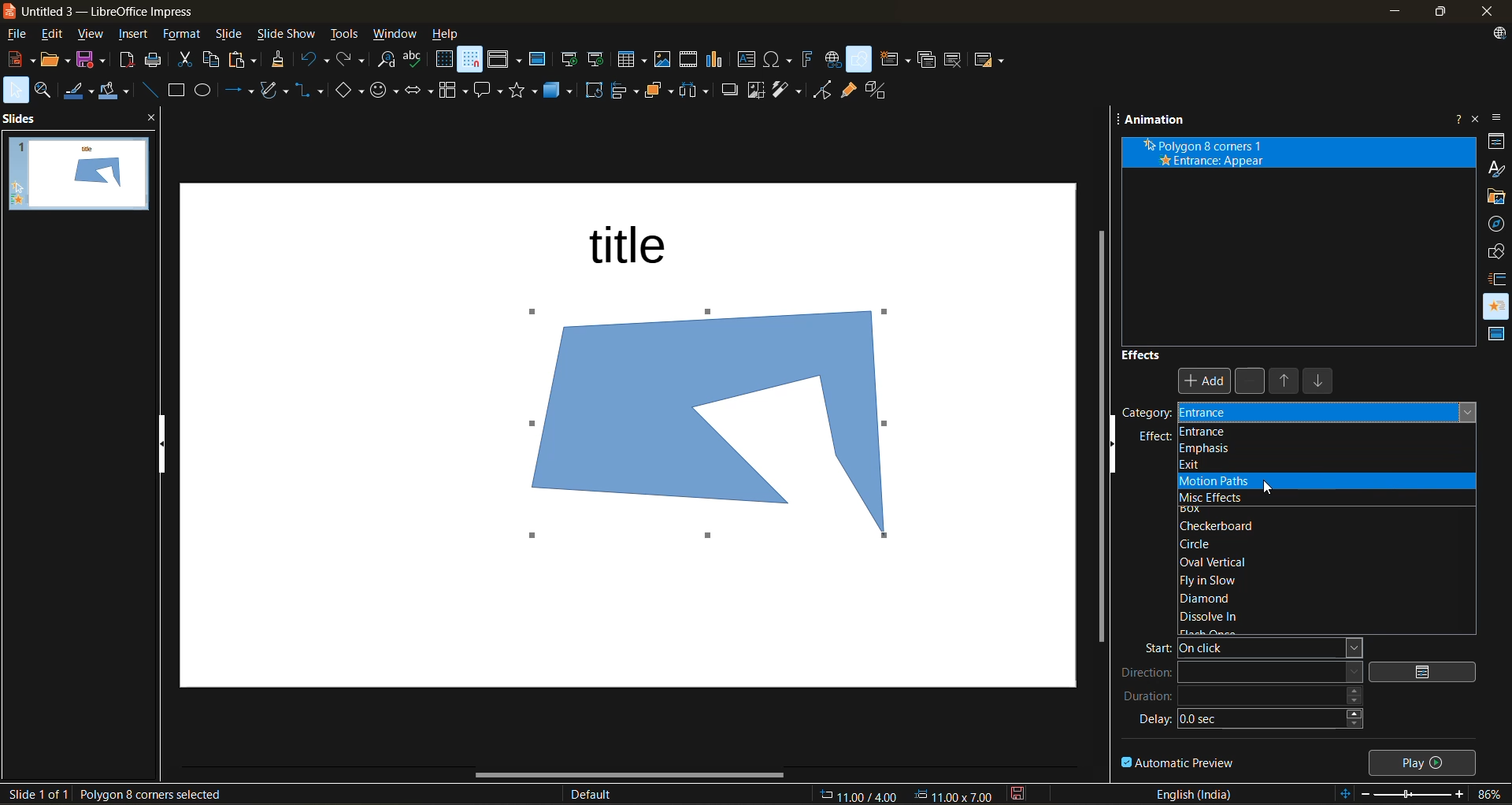 The width and height of the screenshot is (1512, 805). What do you see at coordinates (721, 429) in the screenshot?
I see `shape inserted` at bounding box center [721, 429].